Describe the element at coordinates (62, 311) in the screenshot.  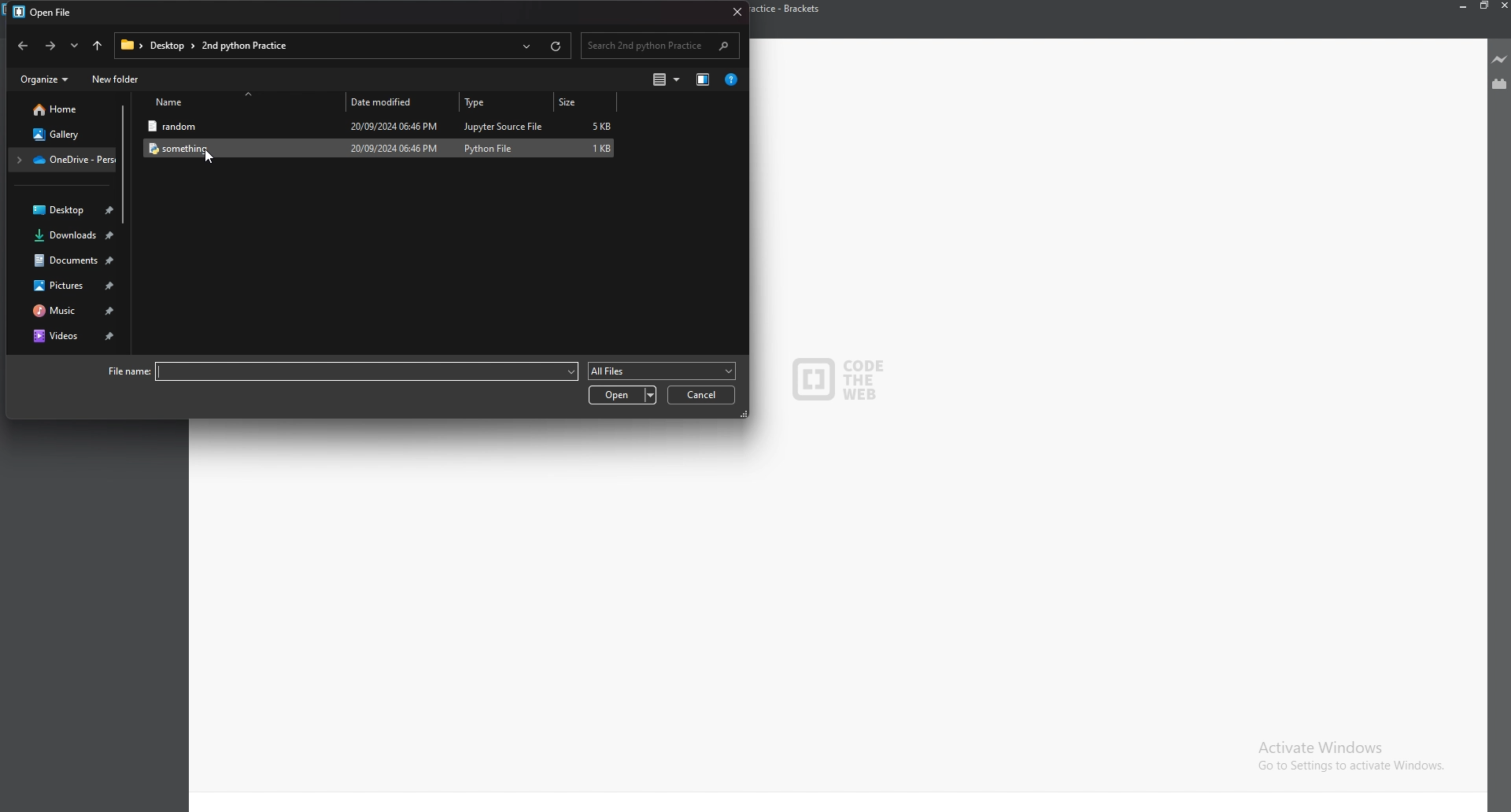
I see `music` at that location.